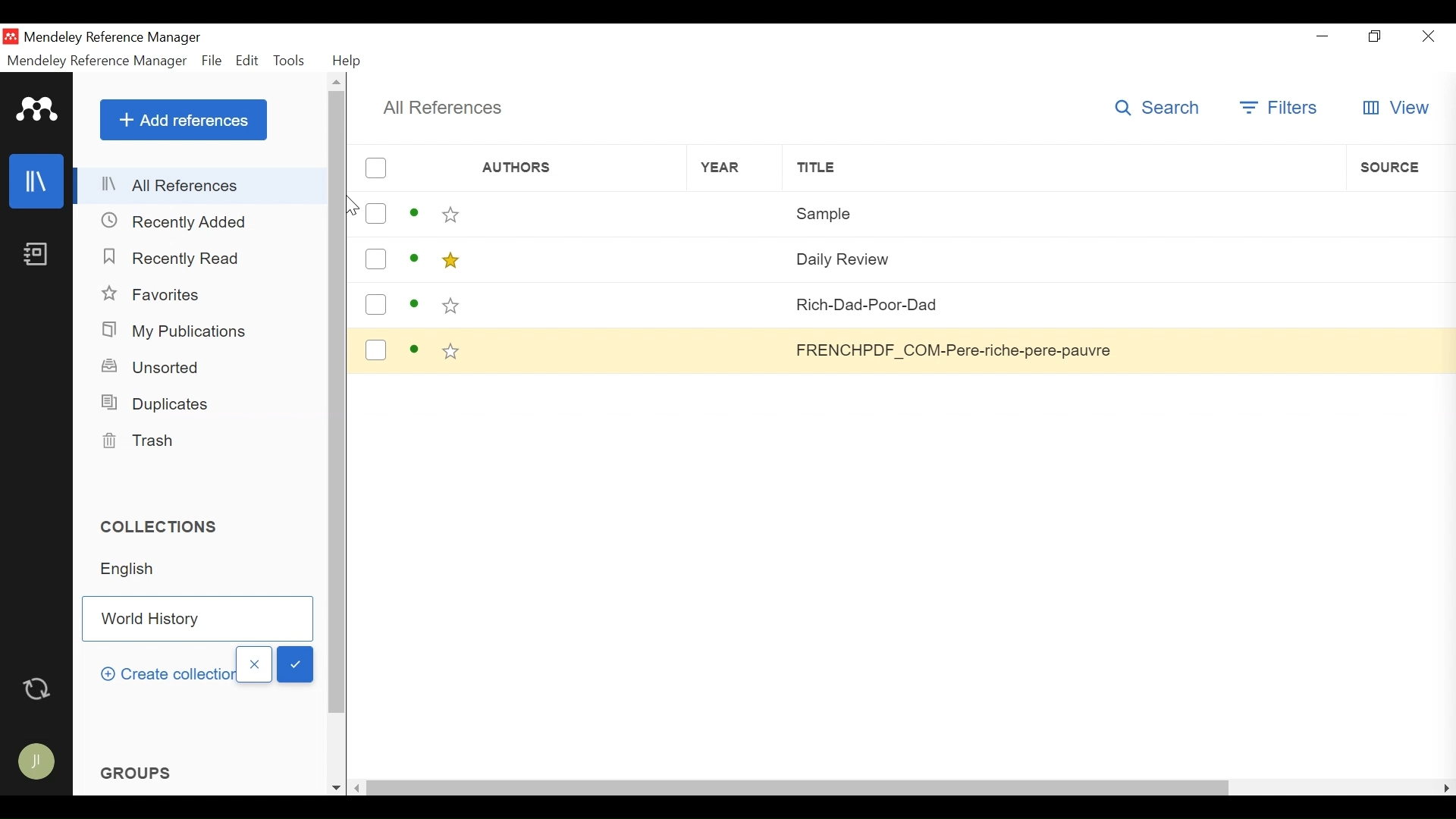 Image resolution: width=1456 pixels, height=819 pixels. What do you see at coordinates (577, 214) in the screenshot?
I see `Authors` at bounding box center [577, 214].